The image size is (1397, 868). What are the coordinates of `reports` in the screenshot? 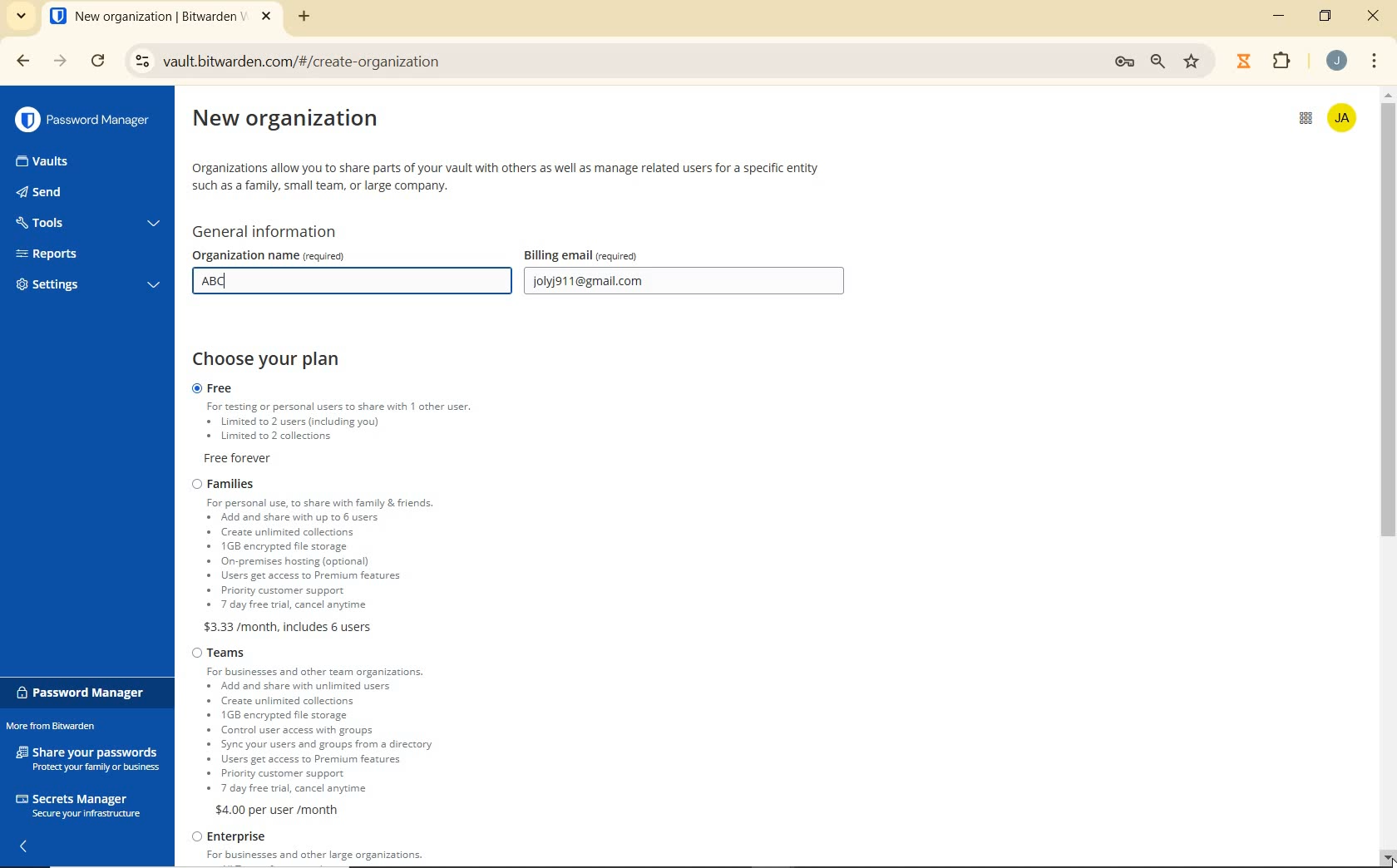 It's located at (88, 254).